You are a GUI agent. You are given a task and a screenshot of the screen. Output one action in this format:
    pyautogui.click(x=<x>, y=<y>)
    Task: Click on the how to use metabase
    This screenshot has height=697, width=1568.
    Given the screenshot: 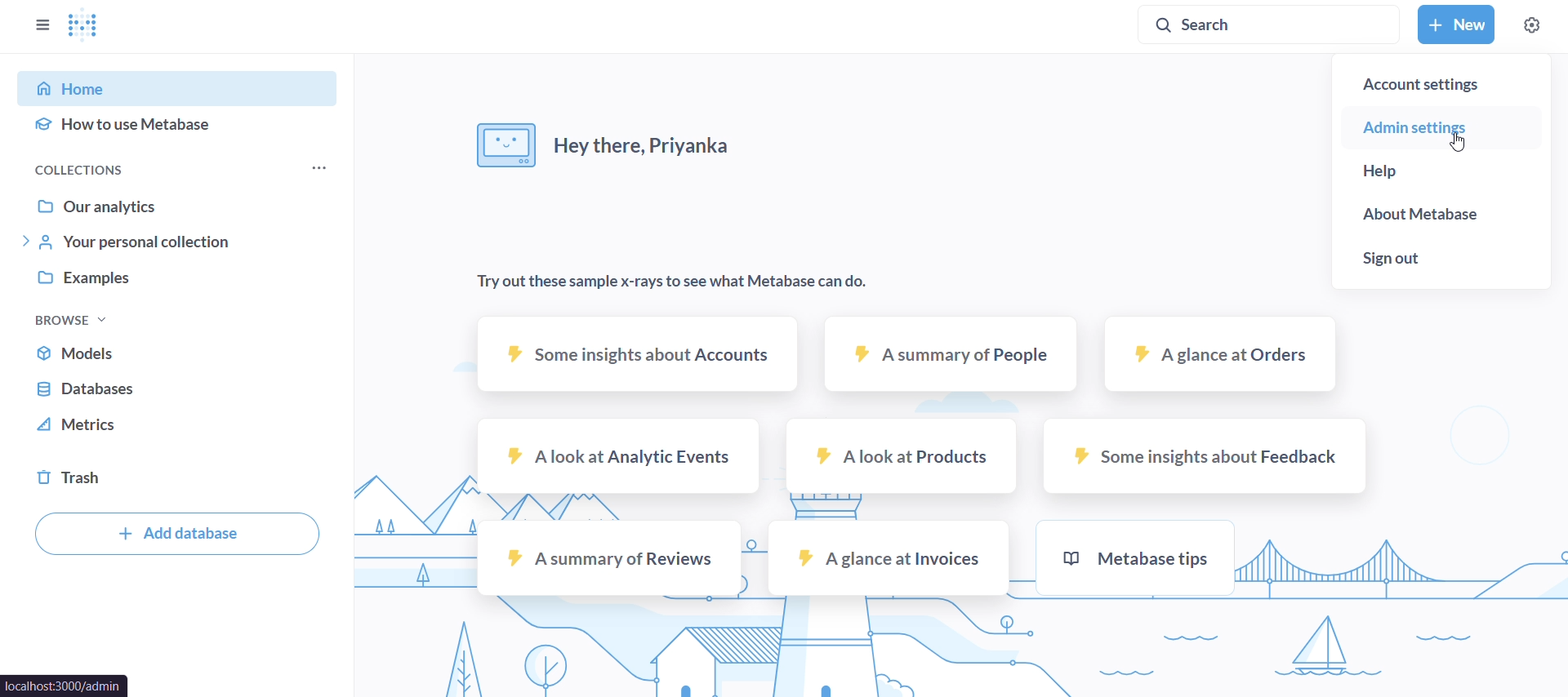 What is the action you would take?
    pyautogui.click(x=180, y=130)
    